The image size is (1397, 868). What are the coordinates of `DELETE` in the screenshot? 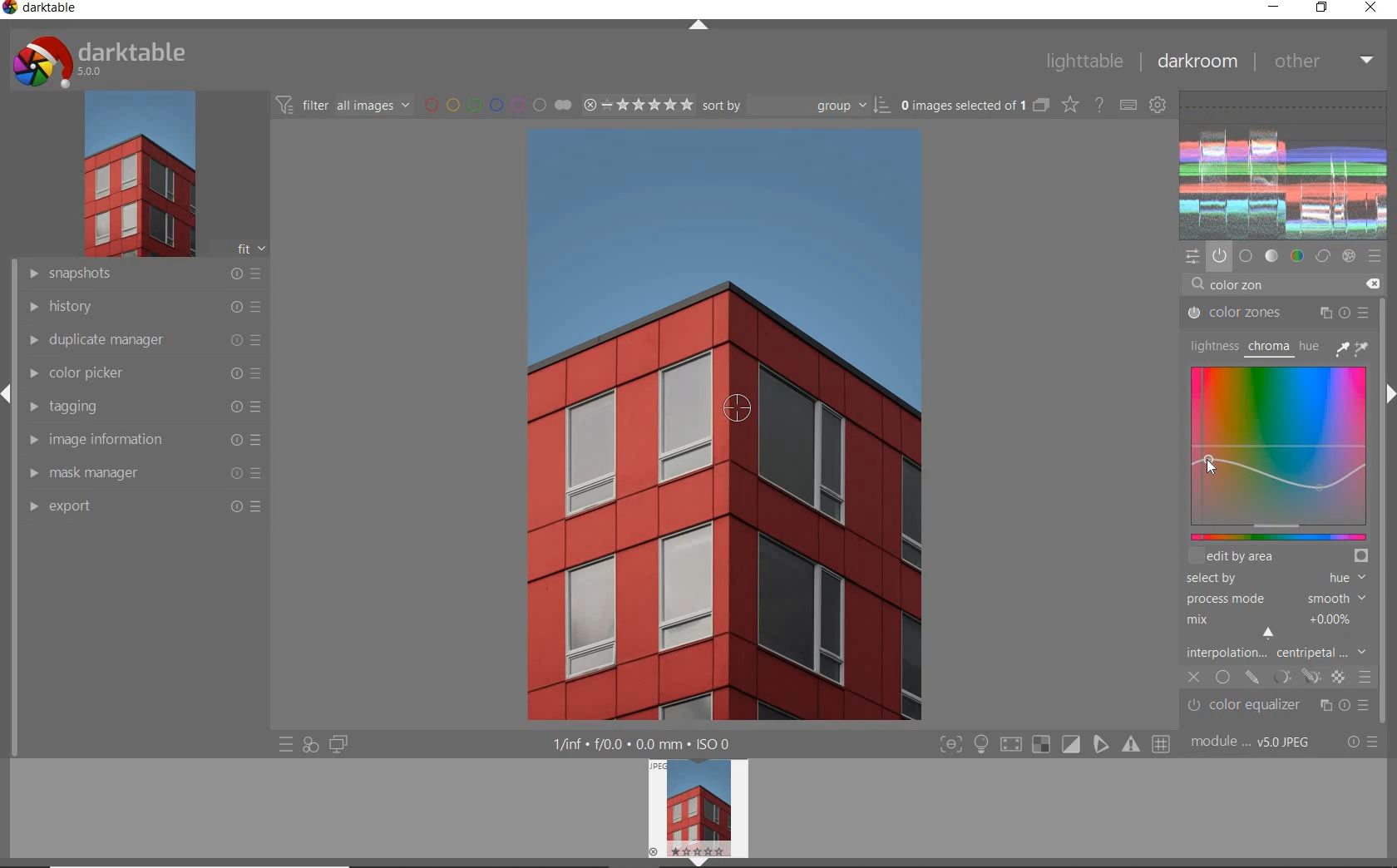 It's located at (1372, 283).